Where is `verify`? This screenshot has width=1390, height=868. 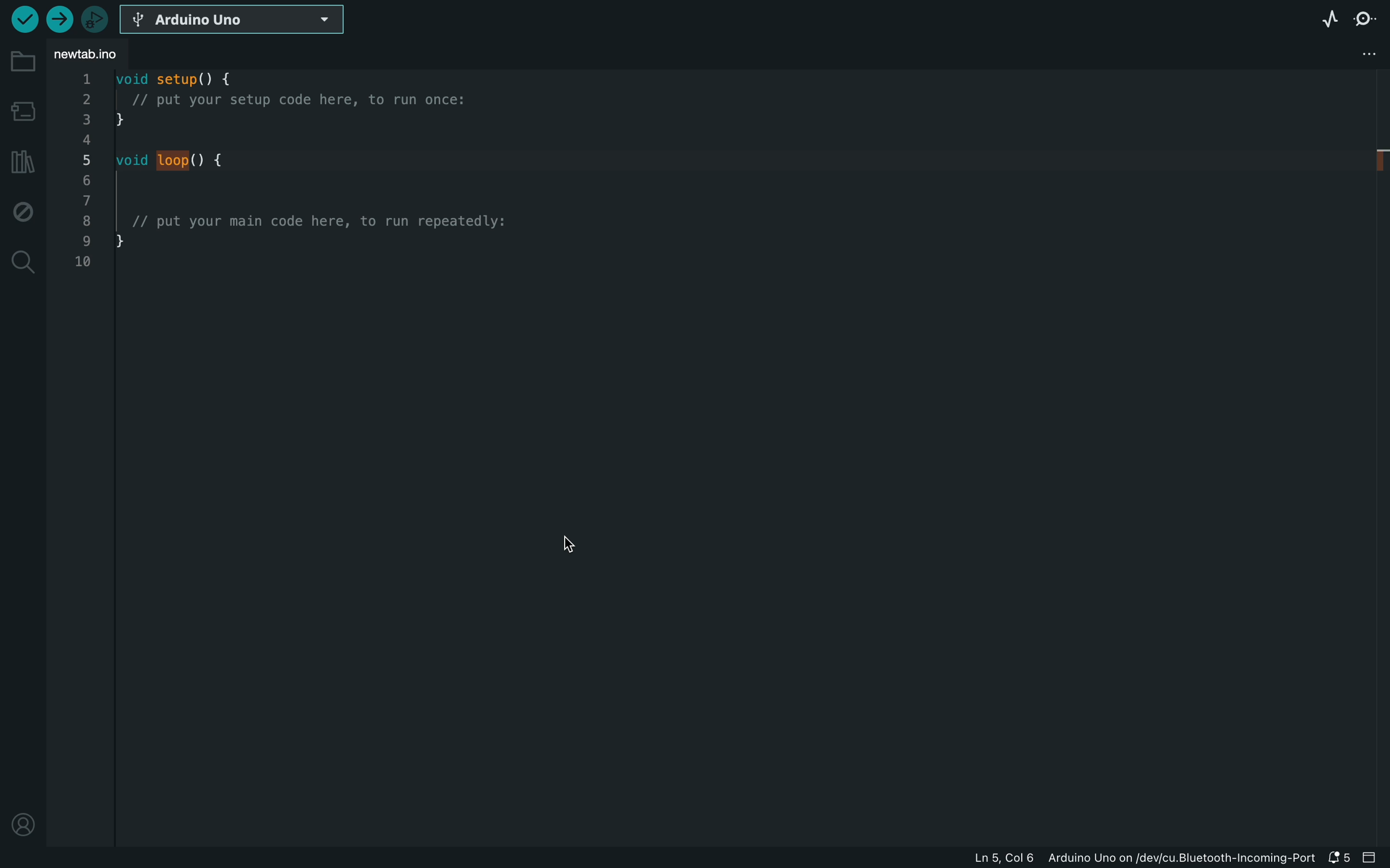 verify is located at coordinates (21, 19).